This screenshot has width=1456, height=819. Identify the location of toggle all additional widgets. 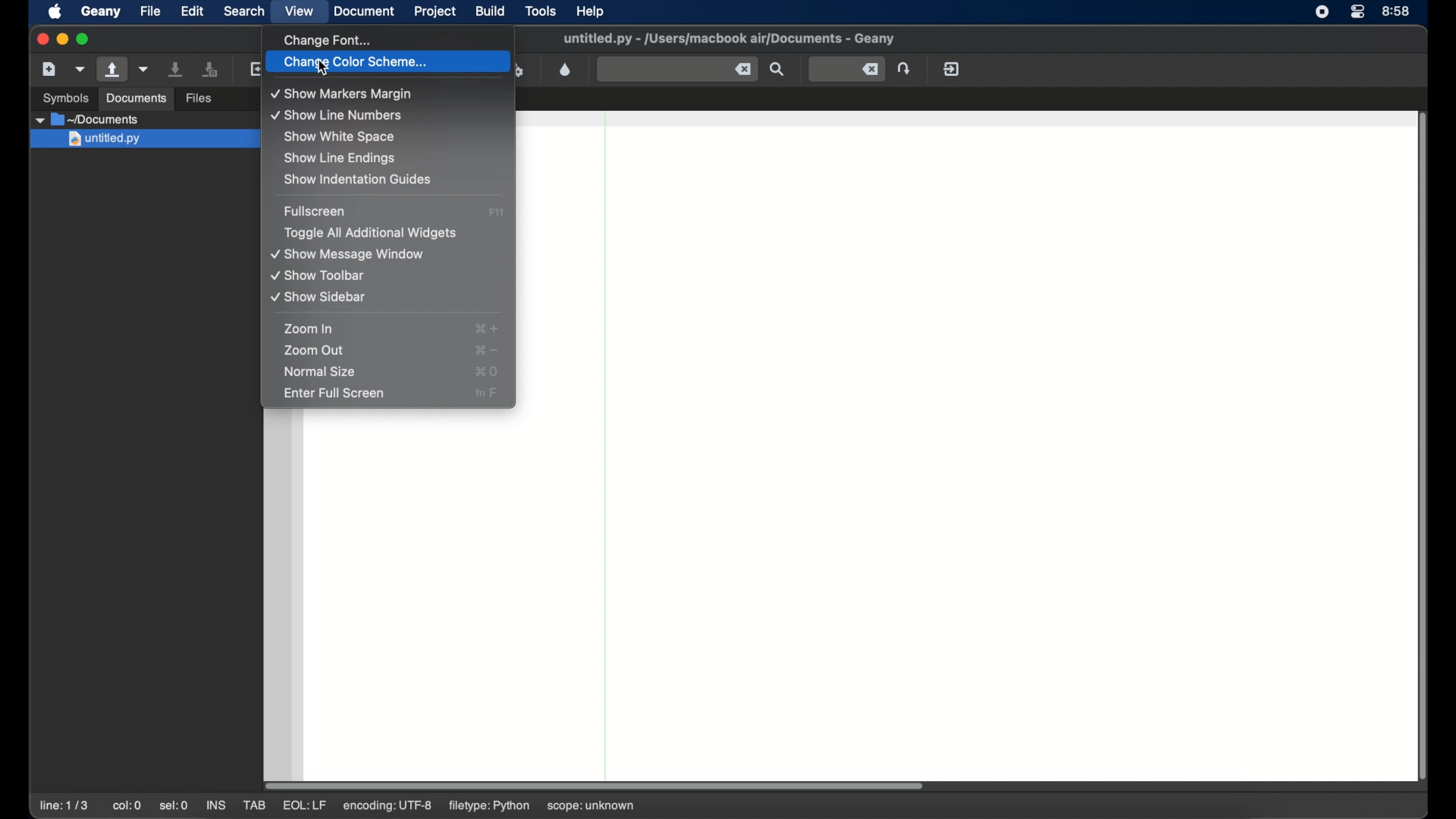
(370, 234).